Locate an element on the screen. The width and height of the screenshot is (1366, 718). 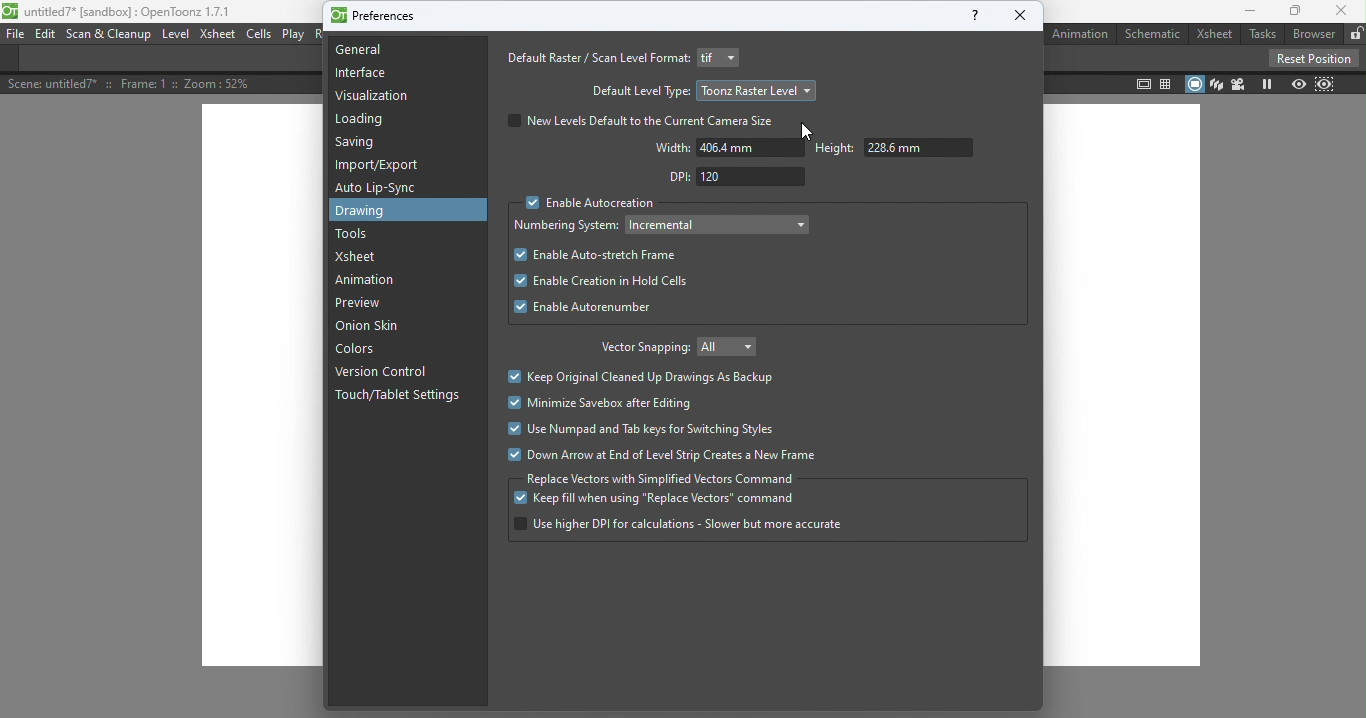
Browser is located at coordinates (1312, 34).